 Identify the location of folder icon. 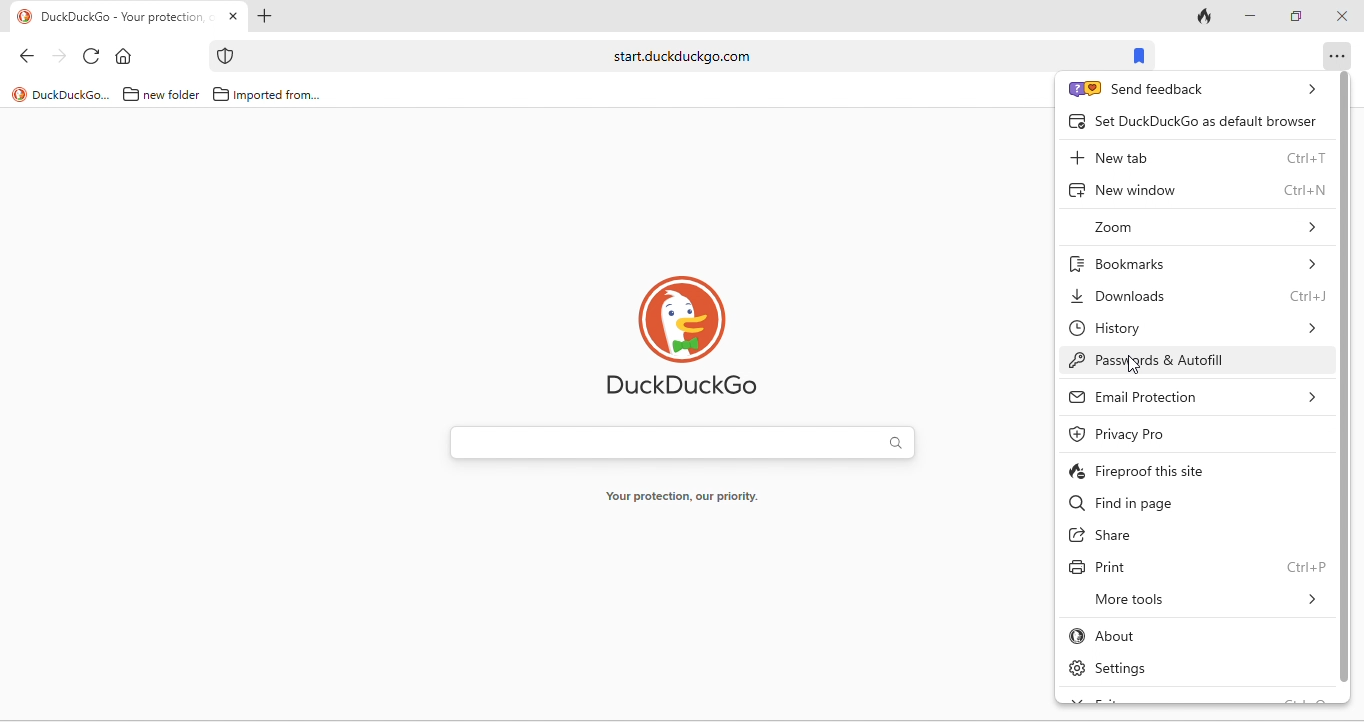
(131, 94).